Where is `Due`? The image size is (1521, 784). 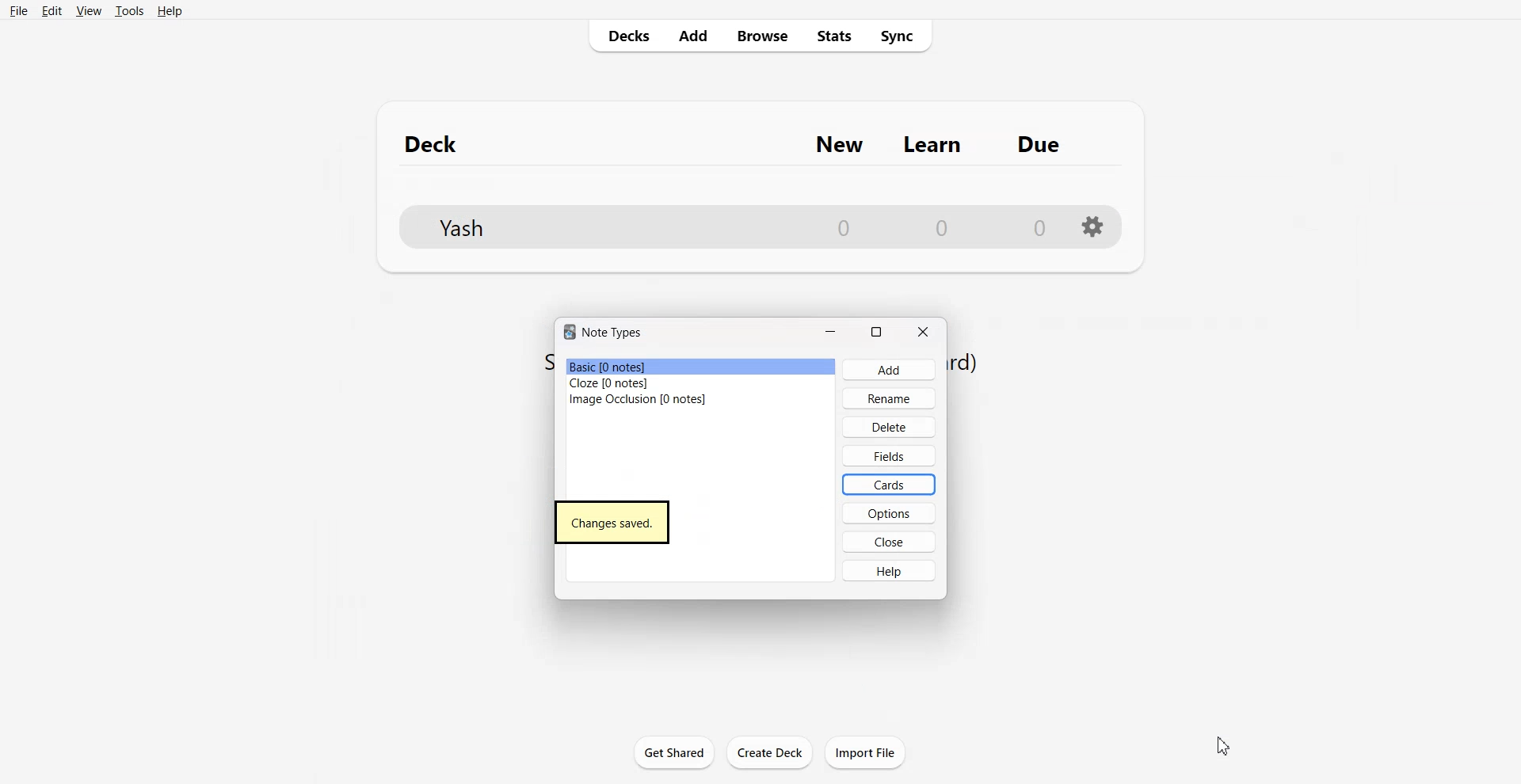 Due is located at coordinates (1039, 144).